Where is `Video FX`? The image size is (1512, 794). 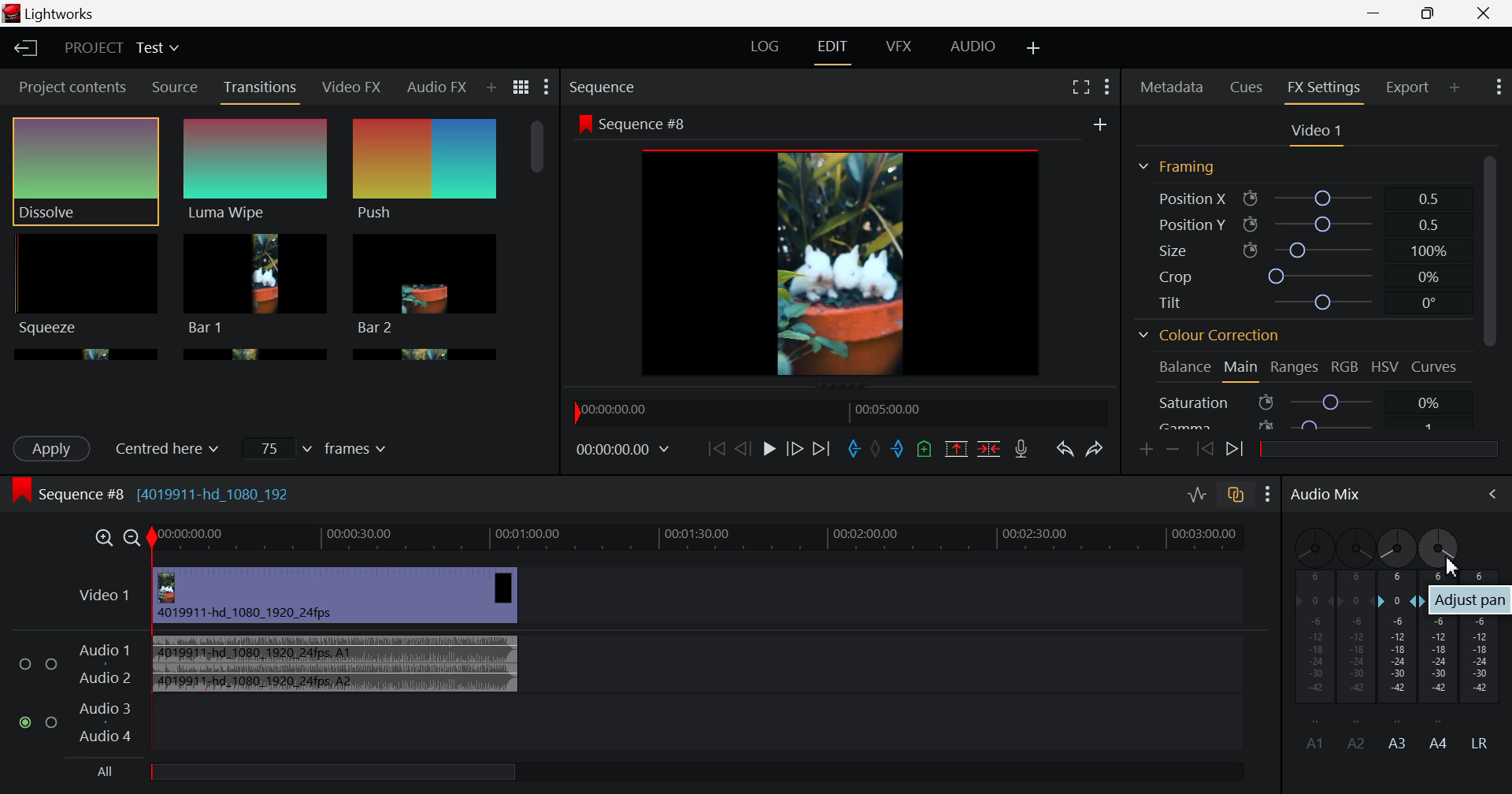 Video FX is located at coordinates (350, 89).